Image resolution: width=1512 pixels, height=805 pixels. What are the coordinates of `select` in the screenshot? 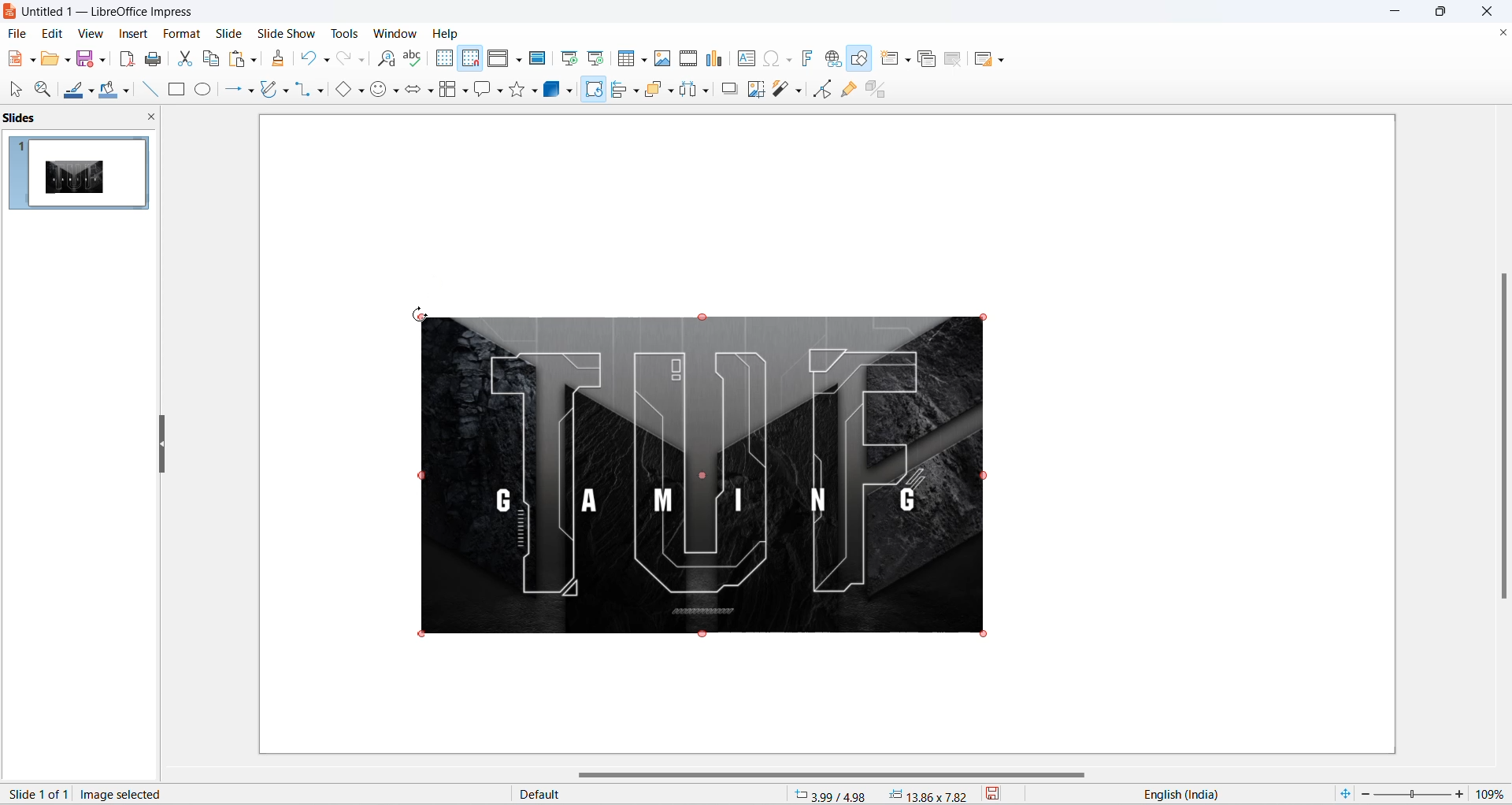 It's located at (13, 91).